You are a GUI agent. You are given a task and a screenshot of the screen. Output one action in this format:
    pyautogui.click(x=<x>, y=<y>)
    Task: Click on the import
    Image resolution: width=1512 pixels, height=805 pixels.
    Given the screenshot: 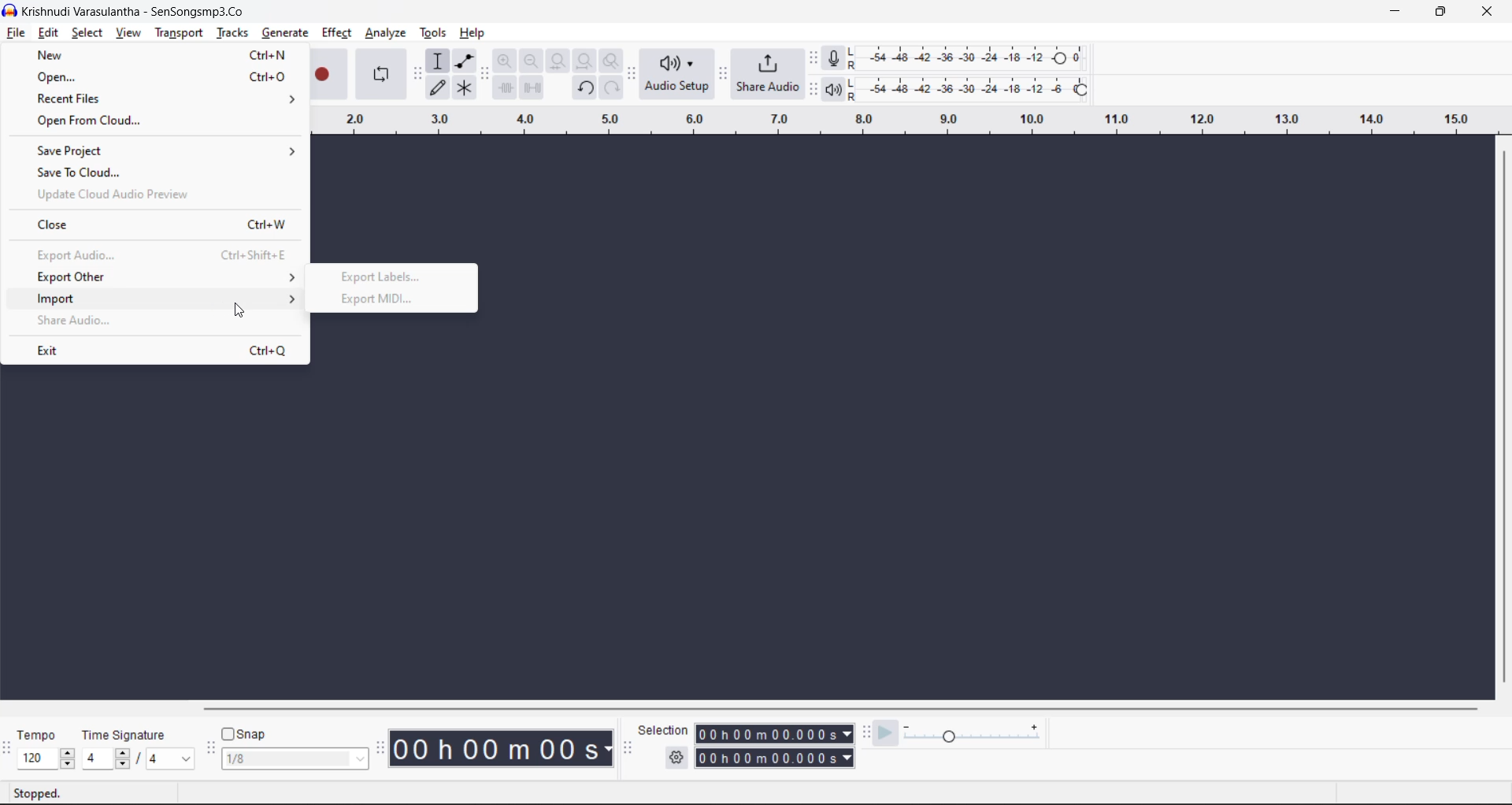 What is the action you would take?
    pyautogui.click(x=161, y=298)
    